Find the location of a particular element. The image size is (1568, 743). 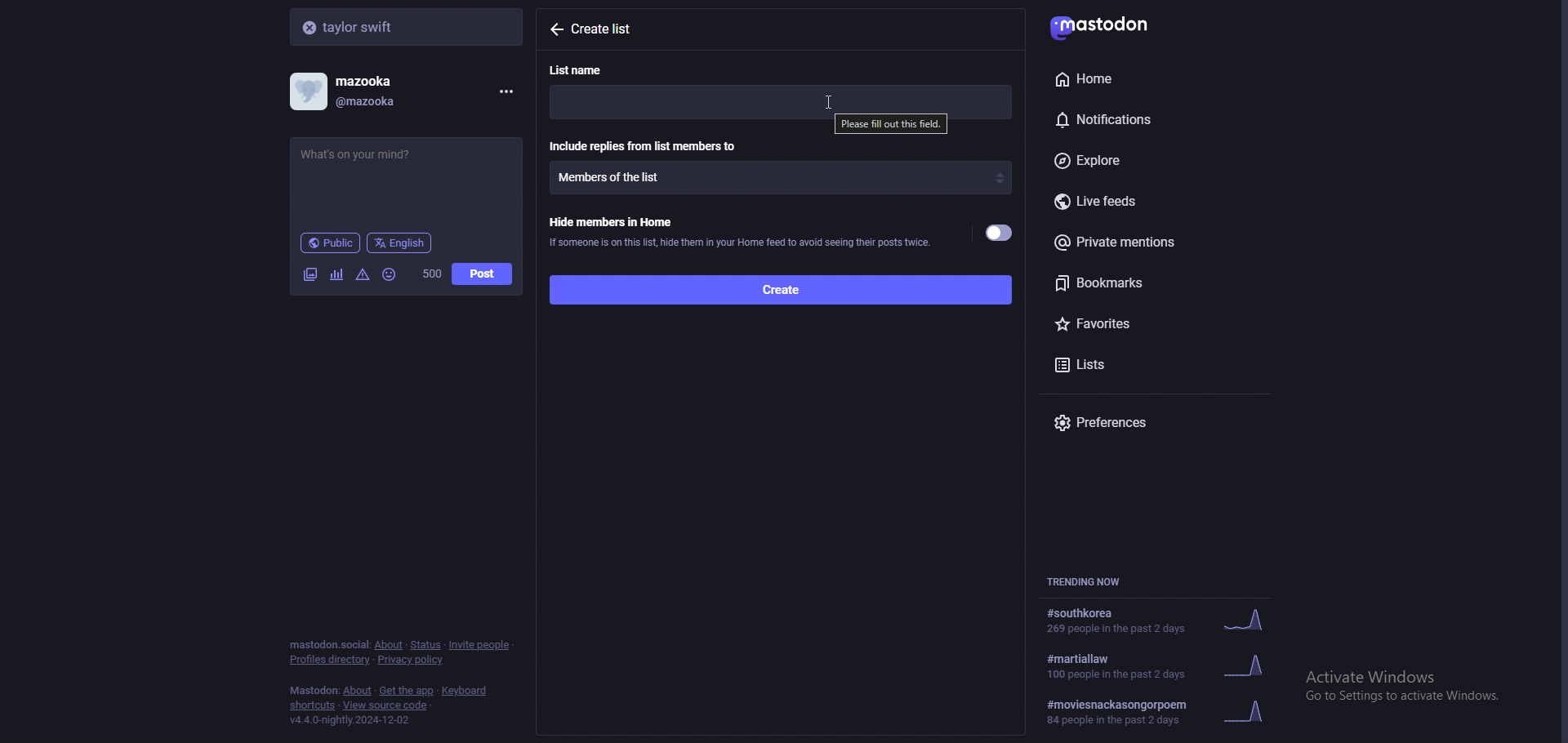

back is located at coordinates (555, 29).